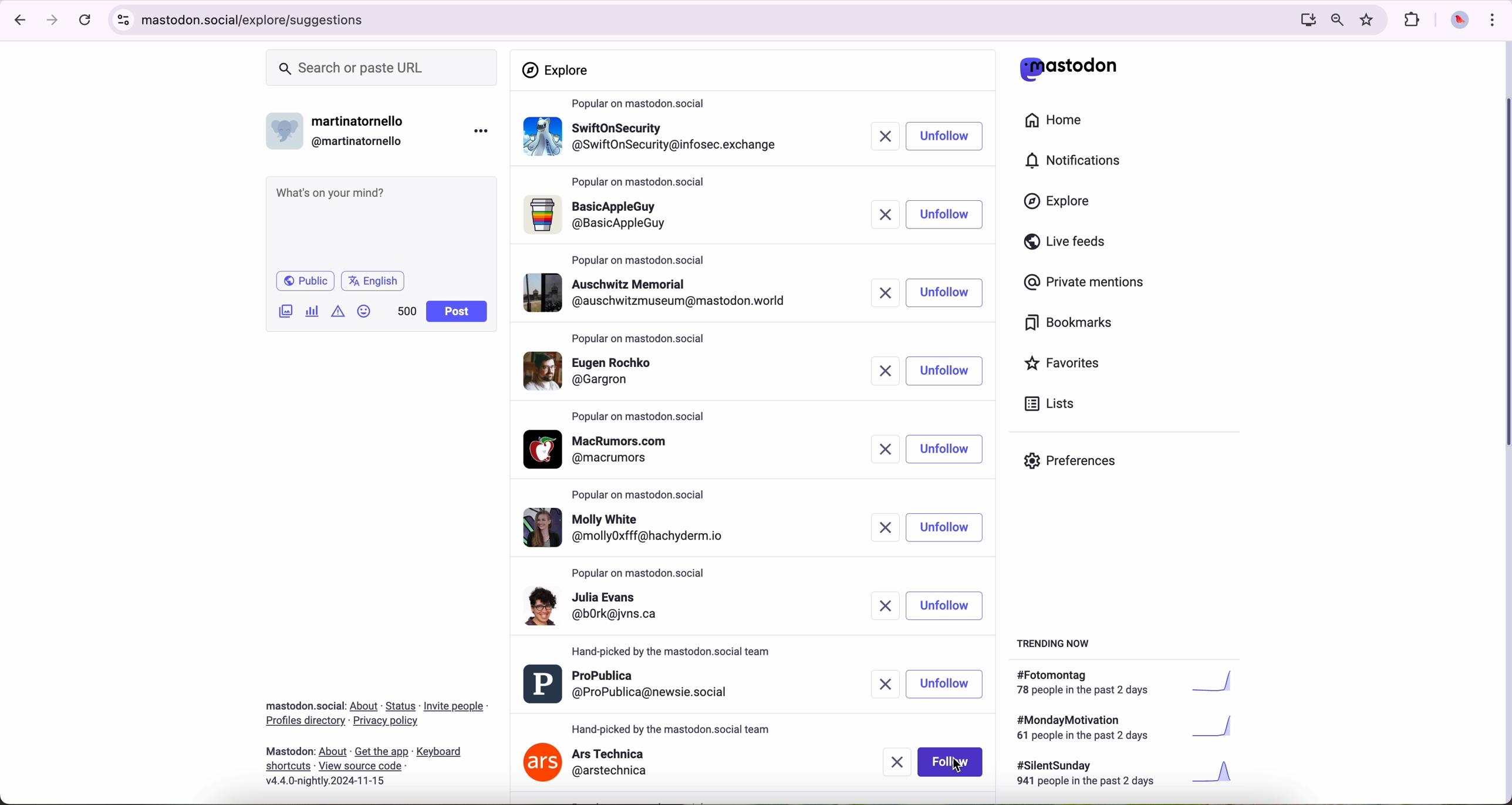 This screenshot has height=805, width=1512. Describe the element at coordinates (654, 218) in the screenshot. I see `profile` at that location.